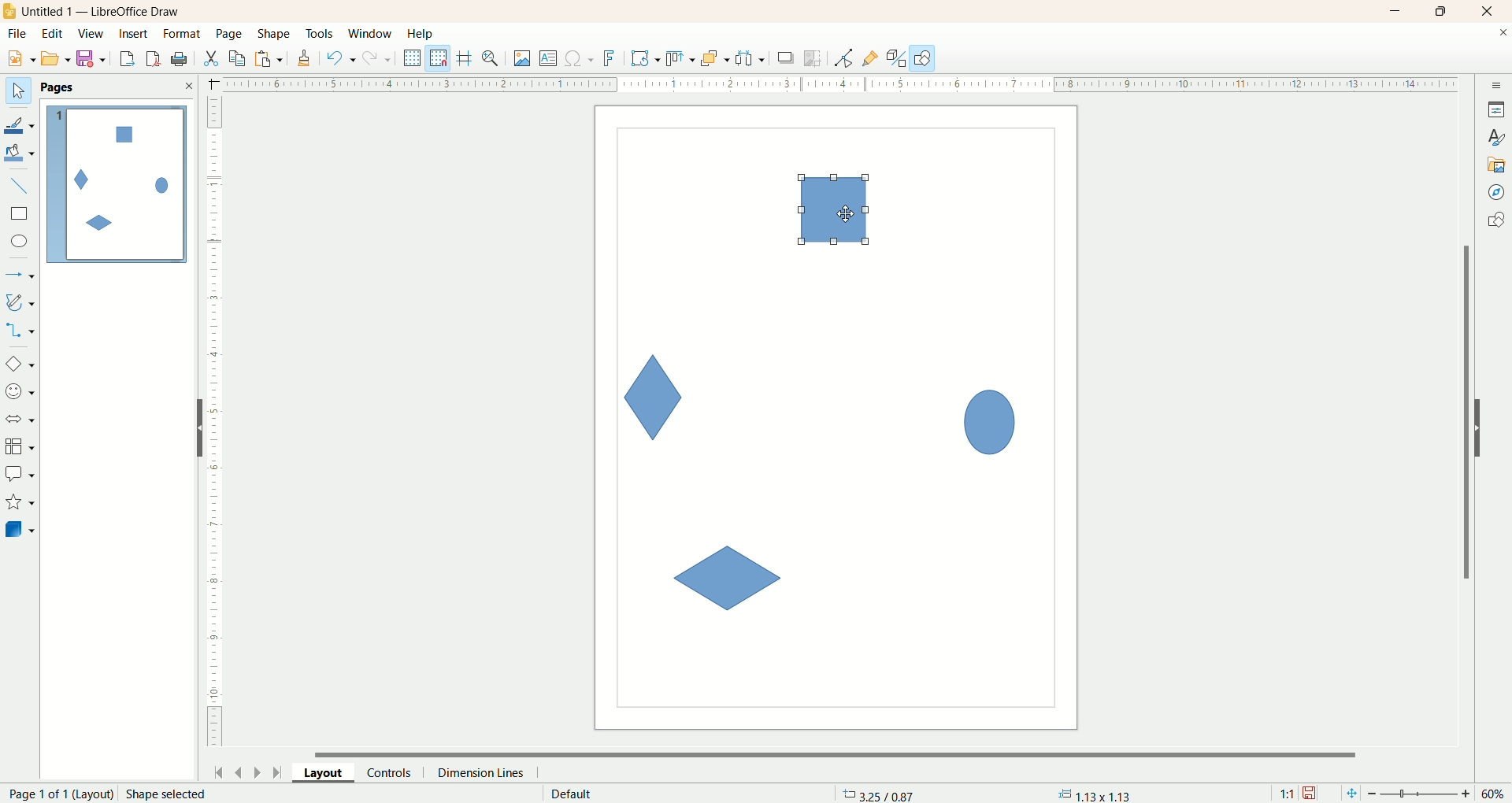 The image size is (1512, 803). Describe the element at coordinates (834, 210) in the screenshot. I see `selected shape` at that location.